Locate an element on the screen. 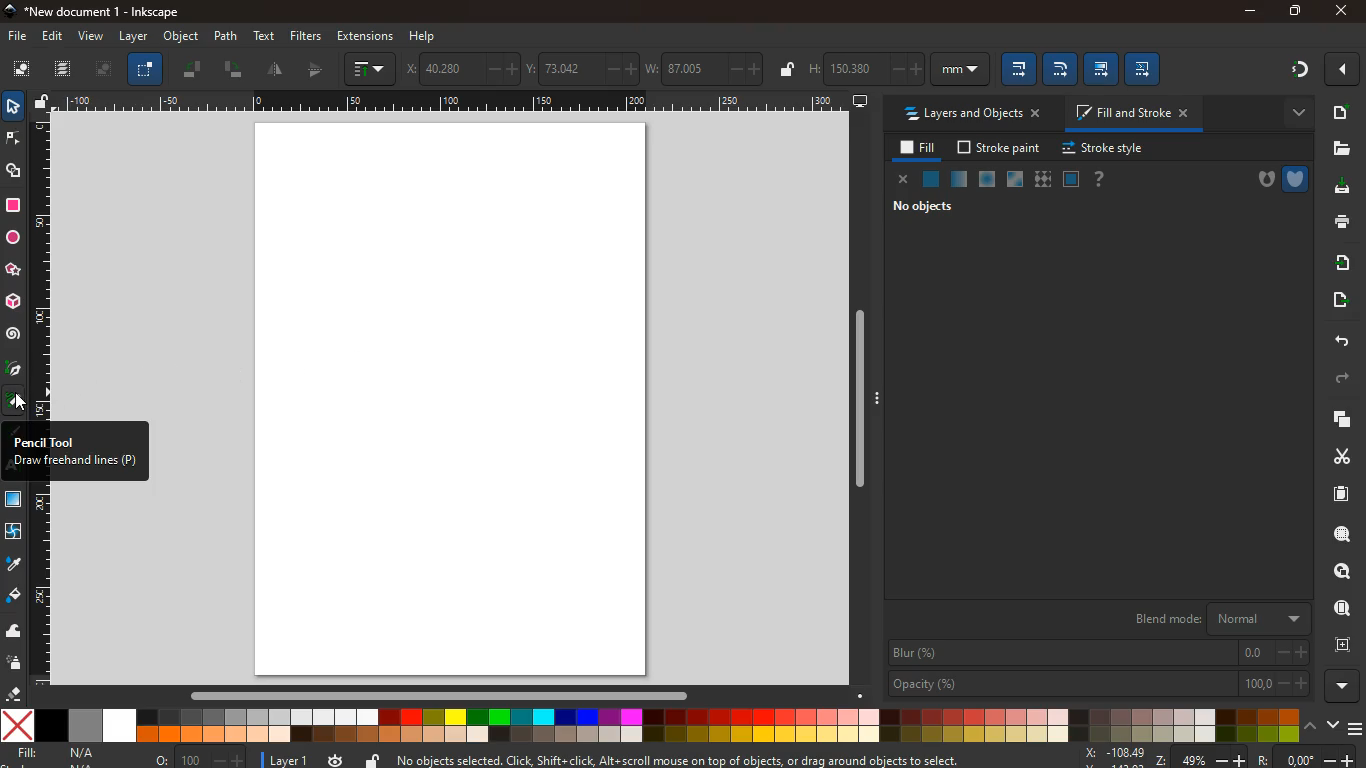 The image size is (1366, 768). search is located at coordinates (1338, 534).